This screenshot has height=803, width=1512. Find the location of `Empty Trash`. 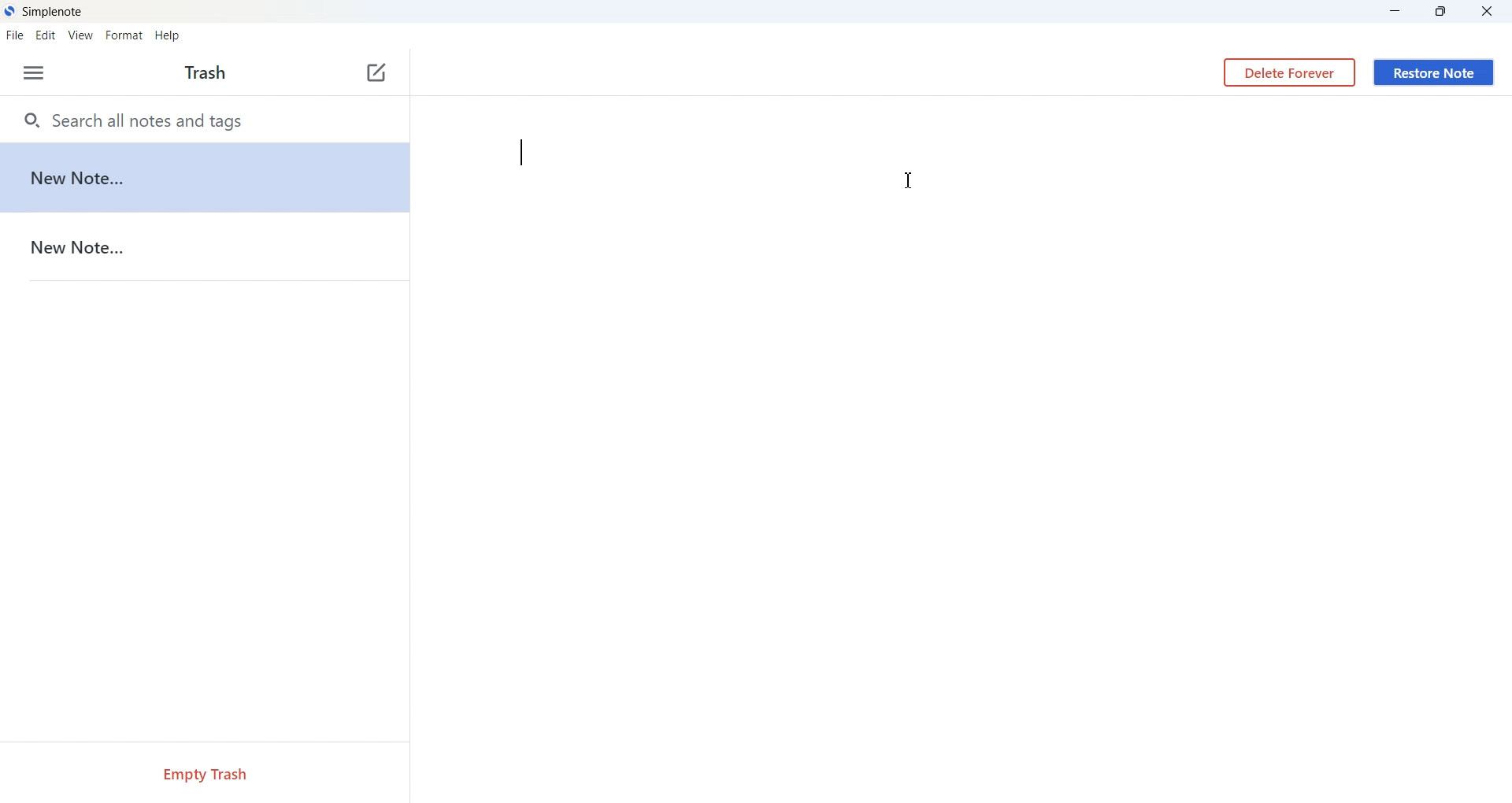

Empty Trash is located at coordinates (203, 773).